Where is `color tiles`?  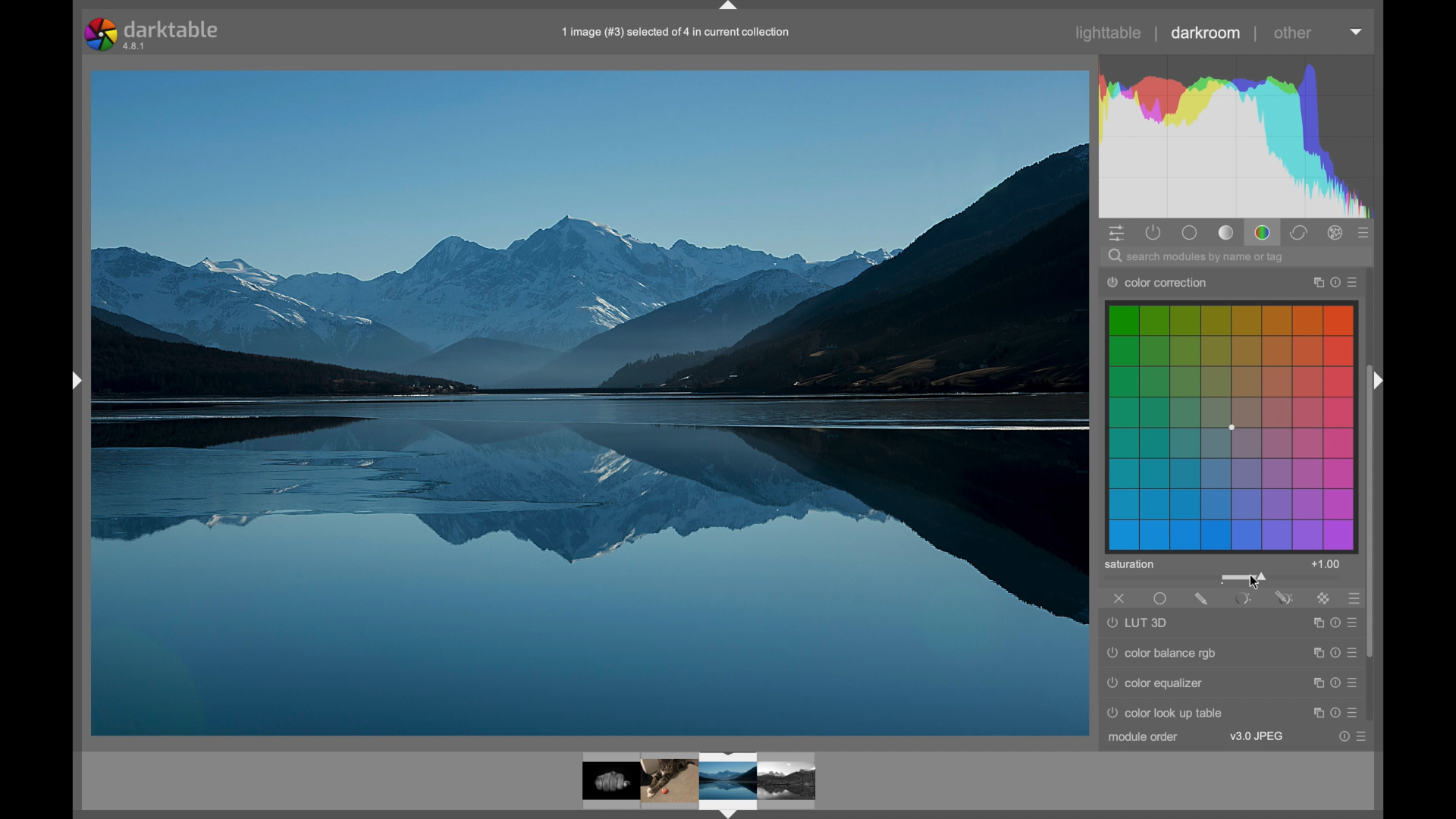
color tiles is located at coordinates (1232, 426).